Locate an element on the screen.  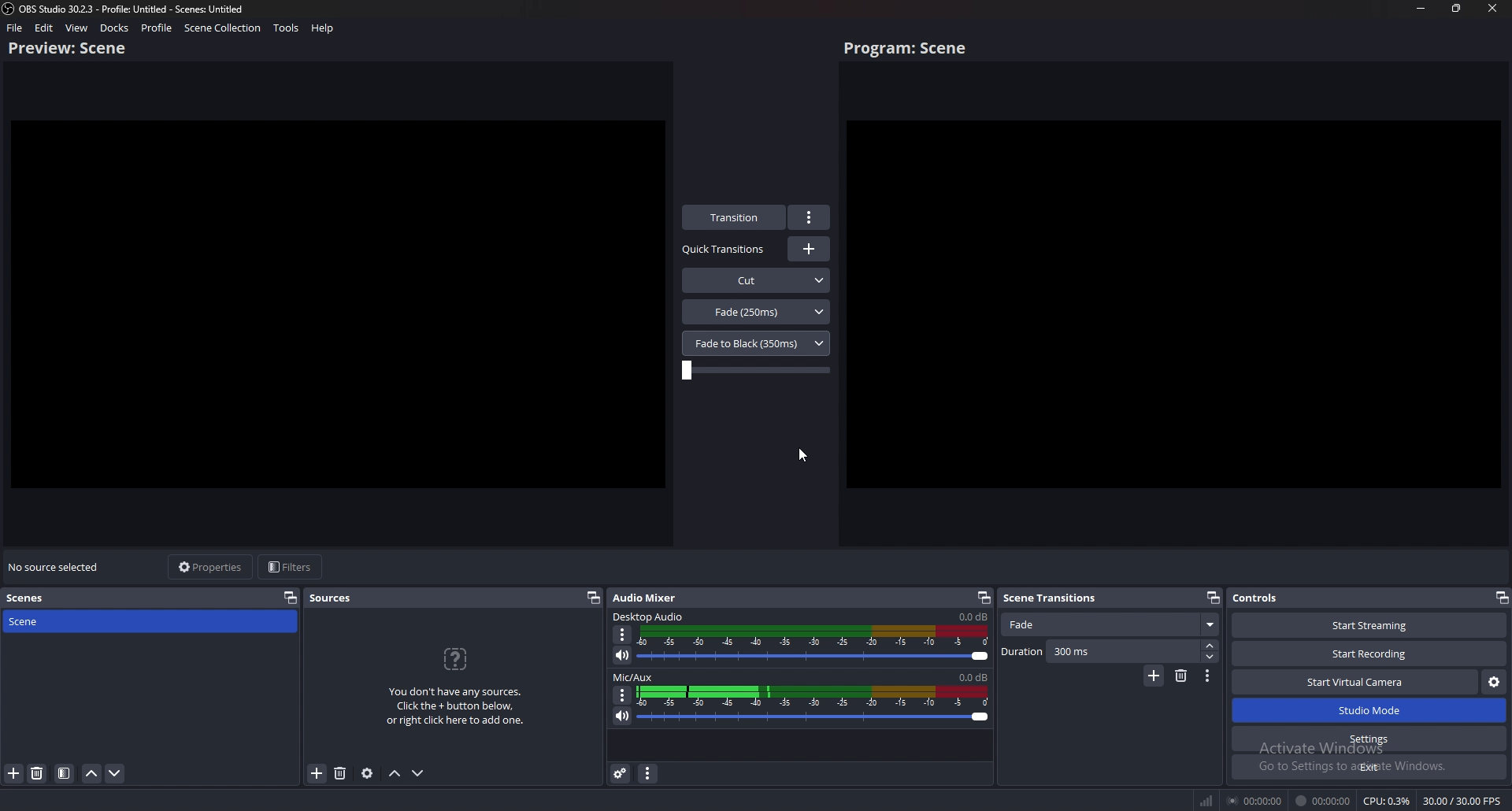
mute is located at coordinates (623, 716).